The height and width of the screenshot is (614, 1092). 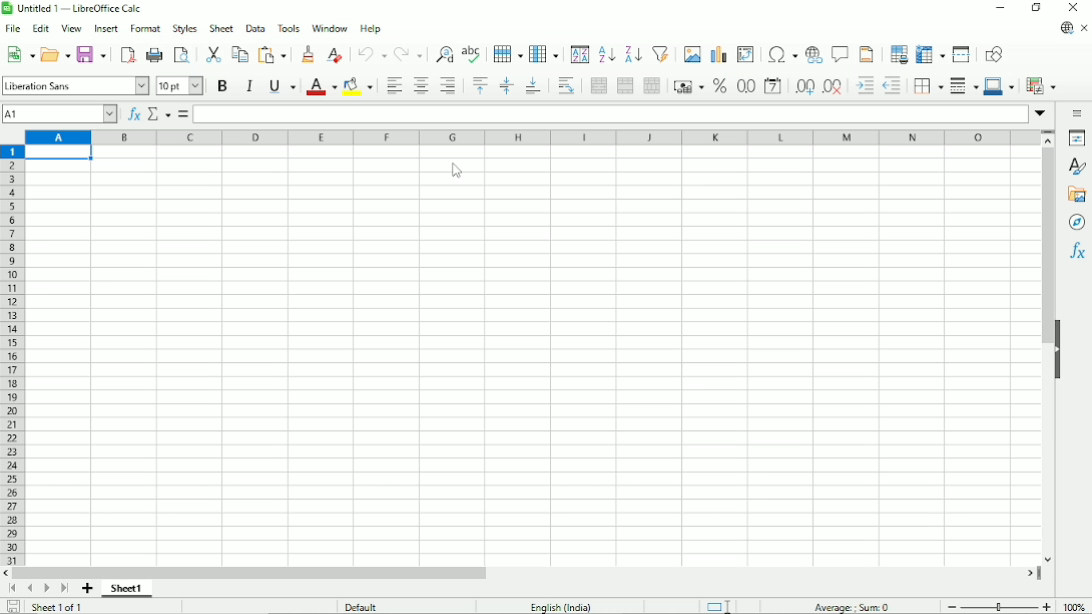 I want to click on Column, so click(x=545, y=53).